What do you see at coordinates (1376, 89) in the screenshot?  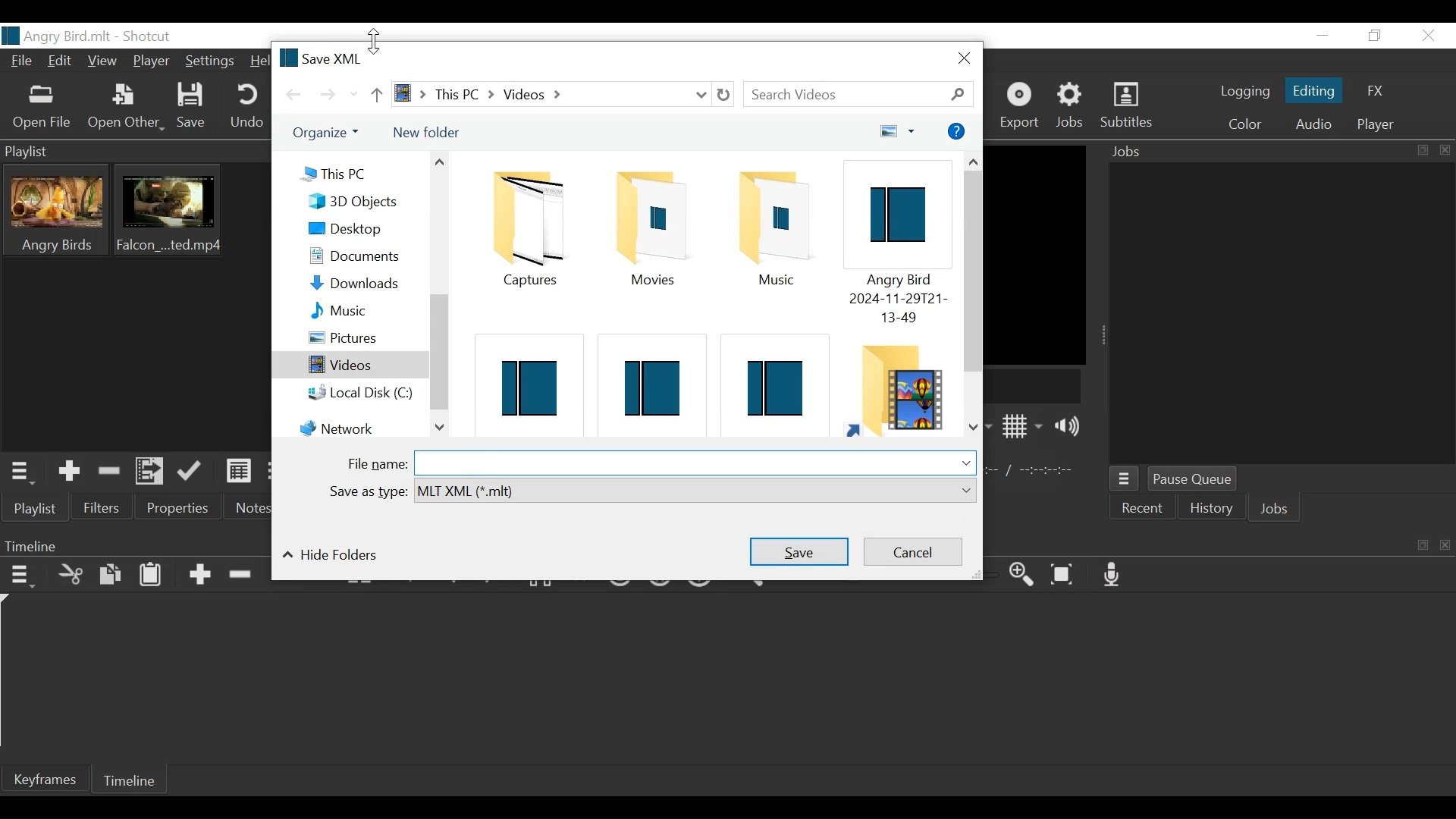 I see `FX` at bounding box center [1376, 89].